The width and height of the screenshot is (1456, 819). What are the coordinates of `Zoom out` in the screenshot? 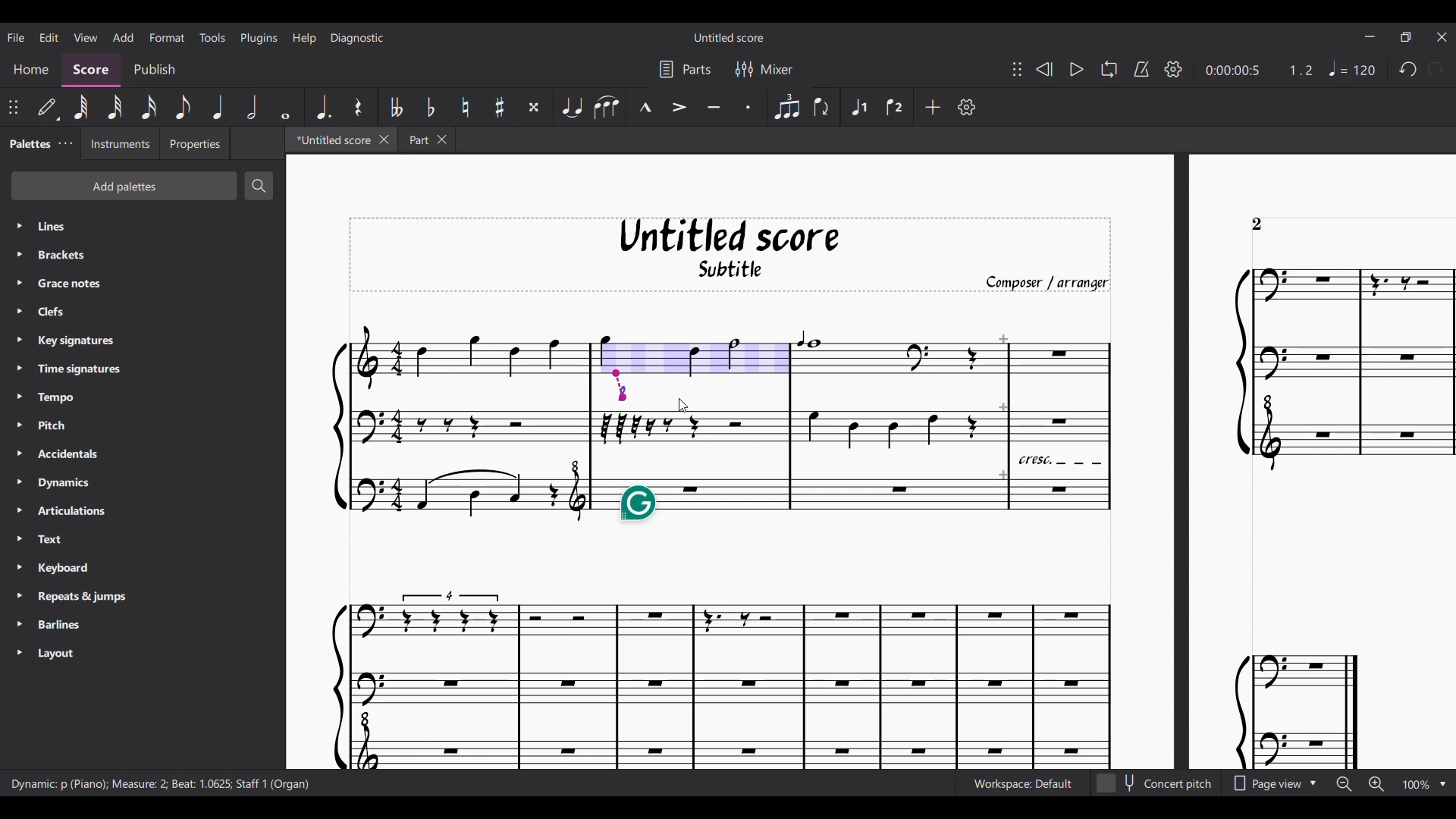 It's located at (1345, 785).